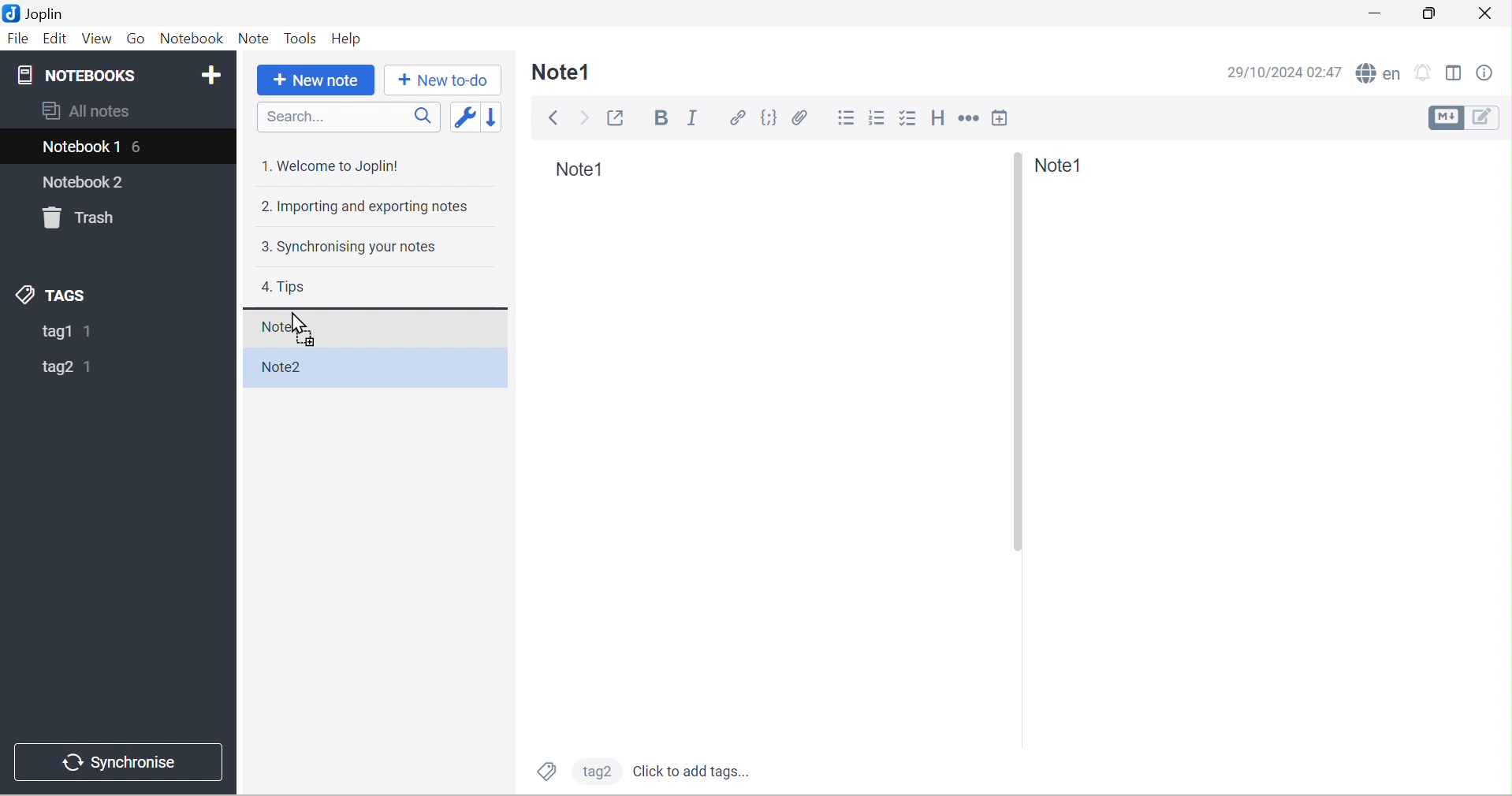 The height and width of the screenshot is (796, 1512). What do you see at coordinates (77, 218) in the screenshot?
I see `Trash` at bounding box center [77, 218].